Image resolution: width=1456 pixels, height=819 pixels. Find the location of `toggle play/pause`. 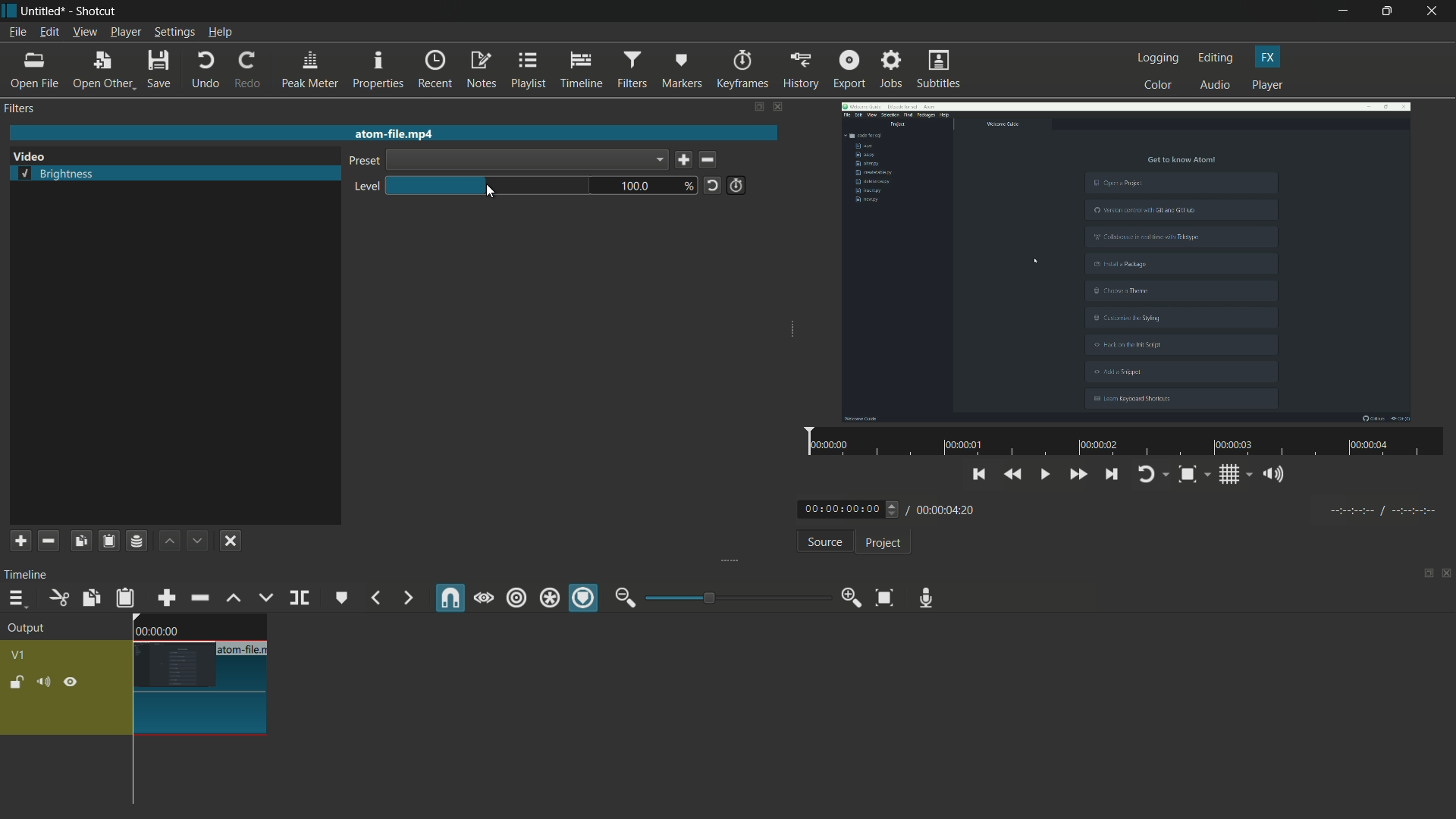

toggle play/pause is located at coordinates (1047, 475).